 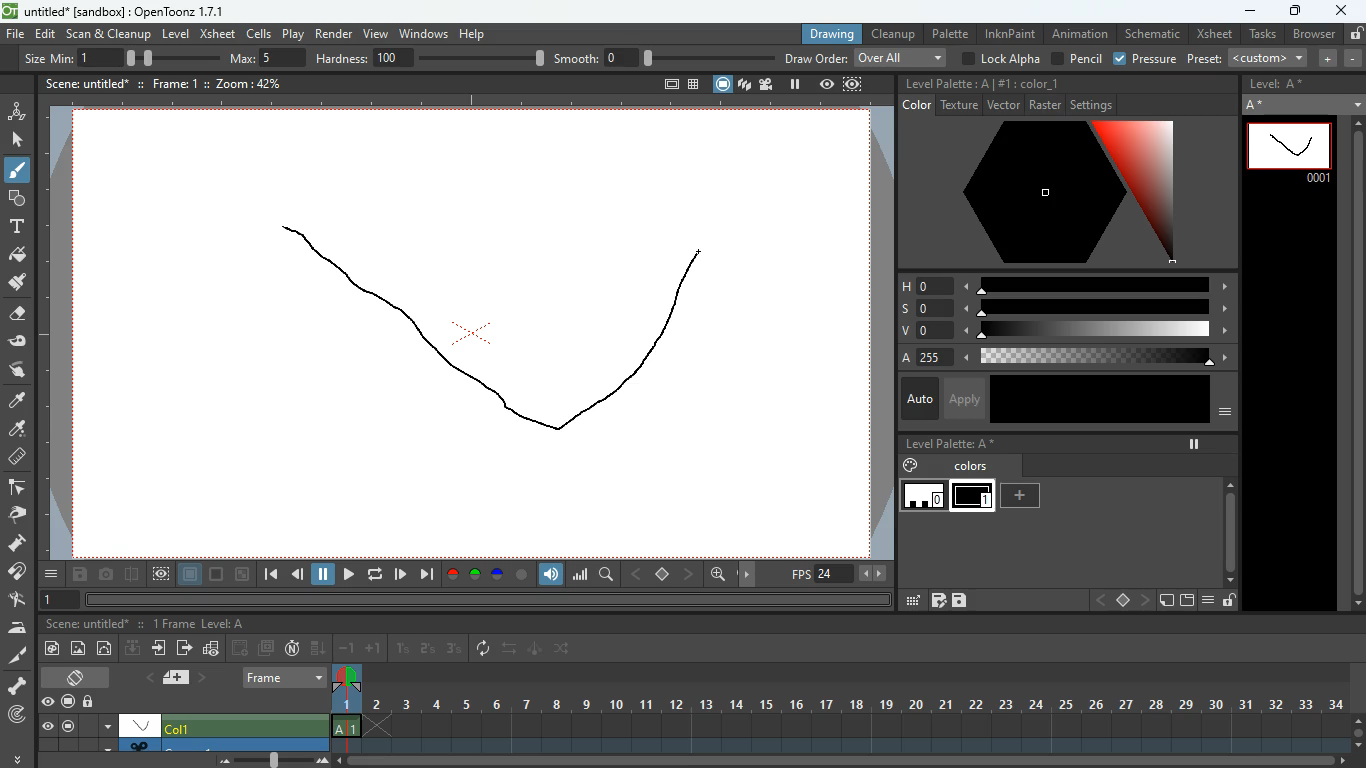 I want to click on more options, so click(x=108, y=725).